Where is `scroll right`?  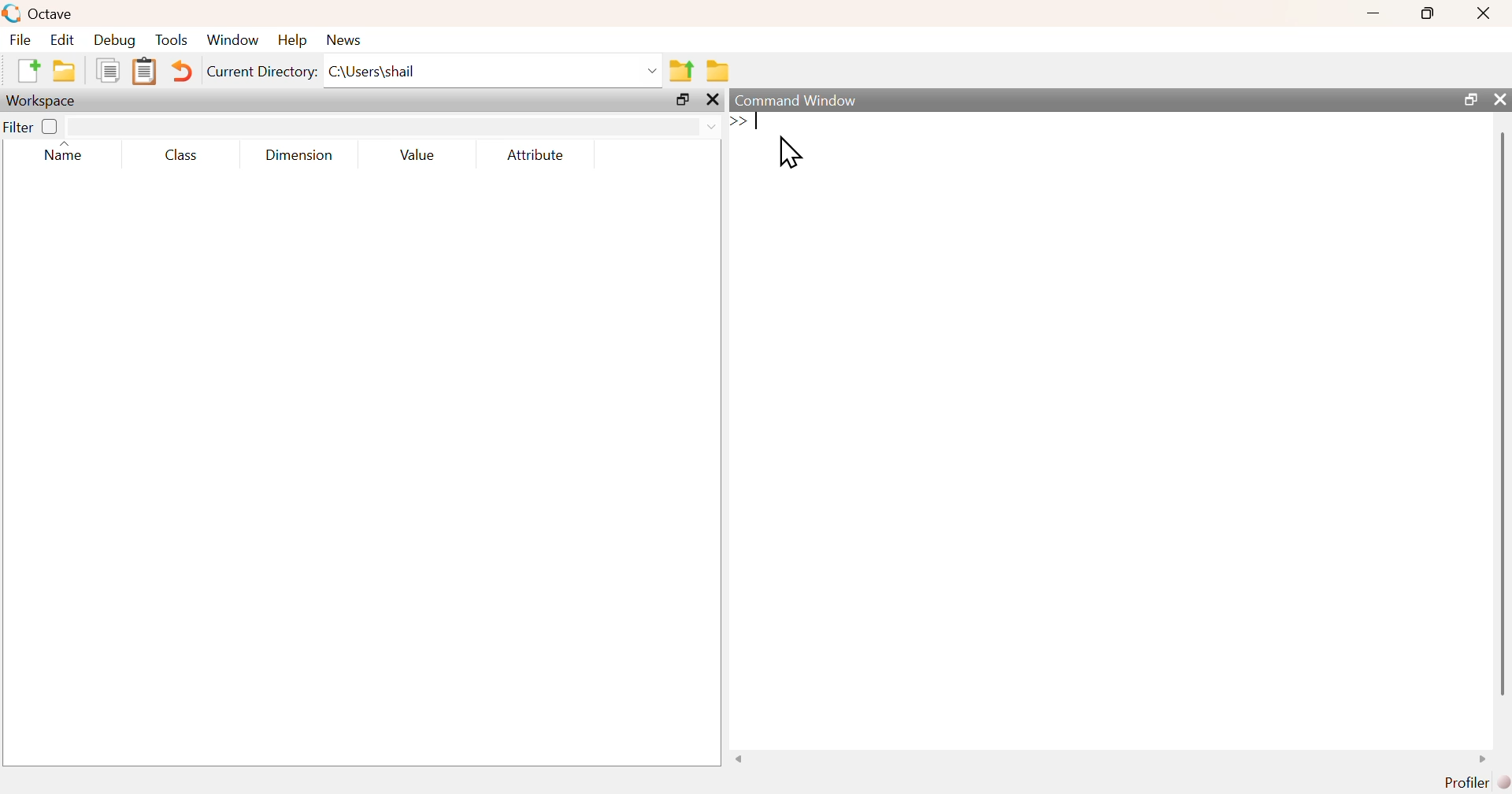 scroll right is located at coordinates (1484, 759).